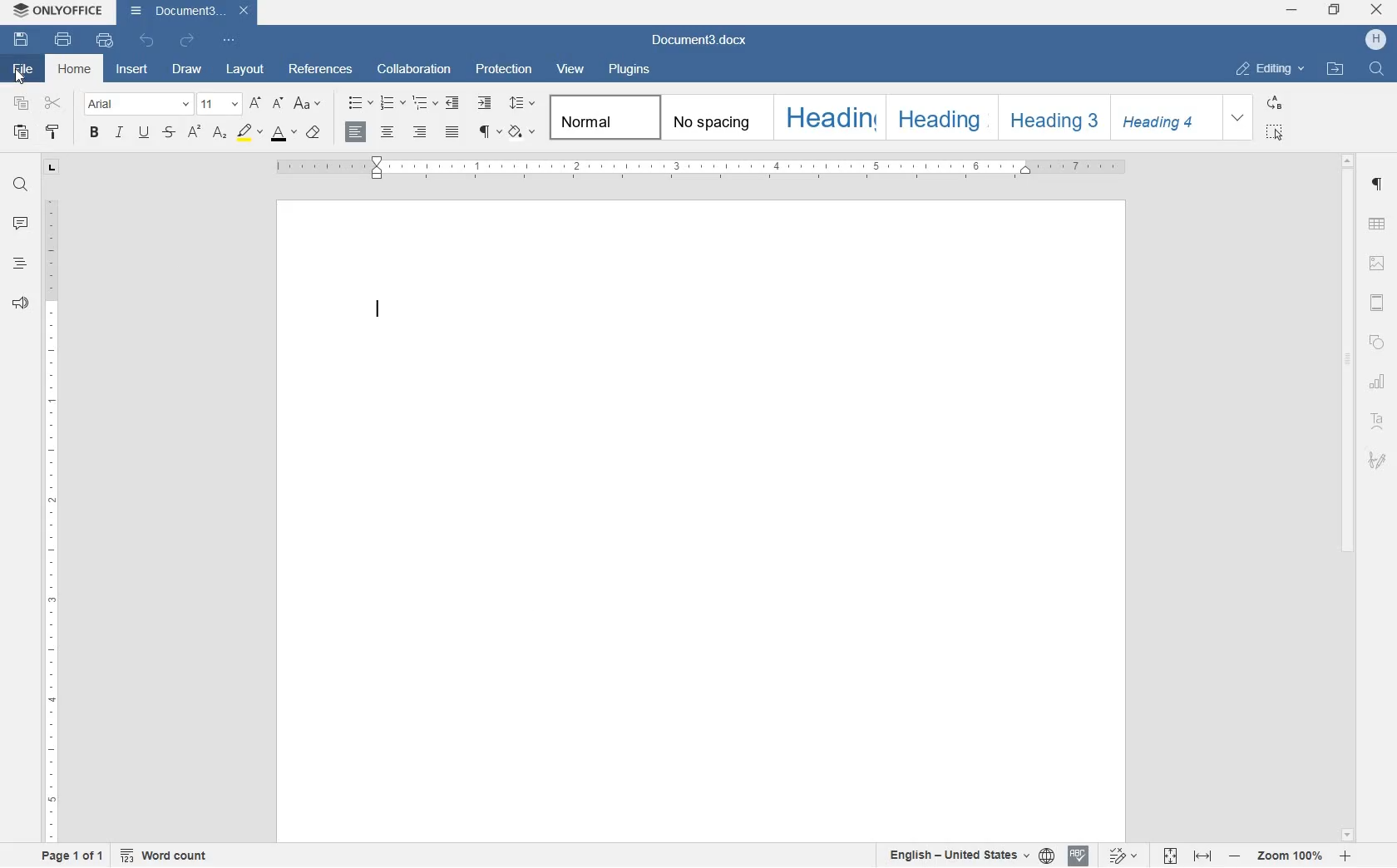  I want to click on editing, so click(1271, 69).